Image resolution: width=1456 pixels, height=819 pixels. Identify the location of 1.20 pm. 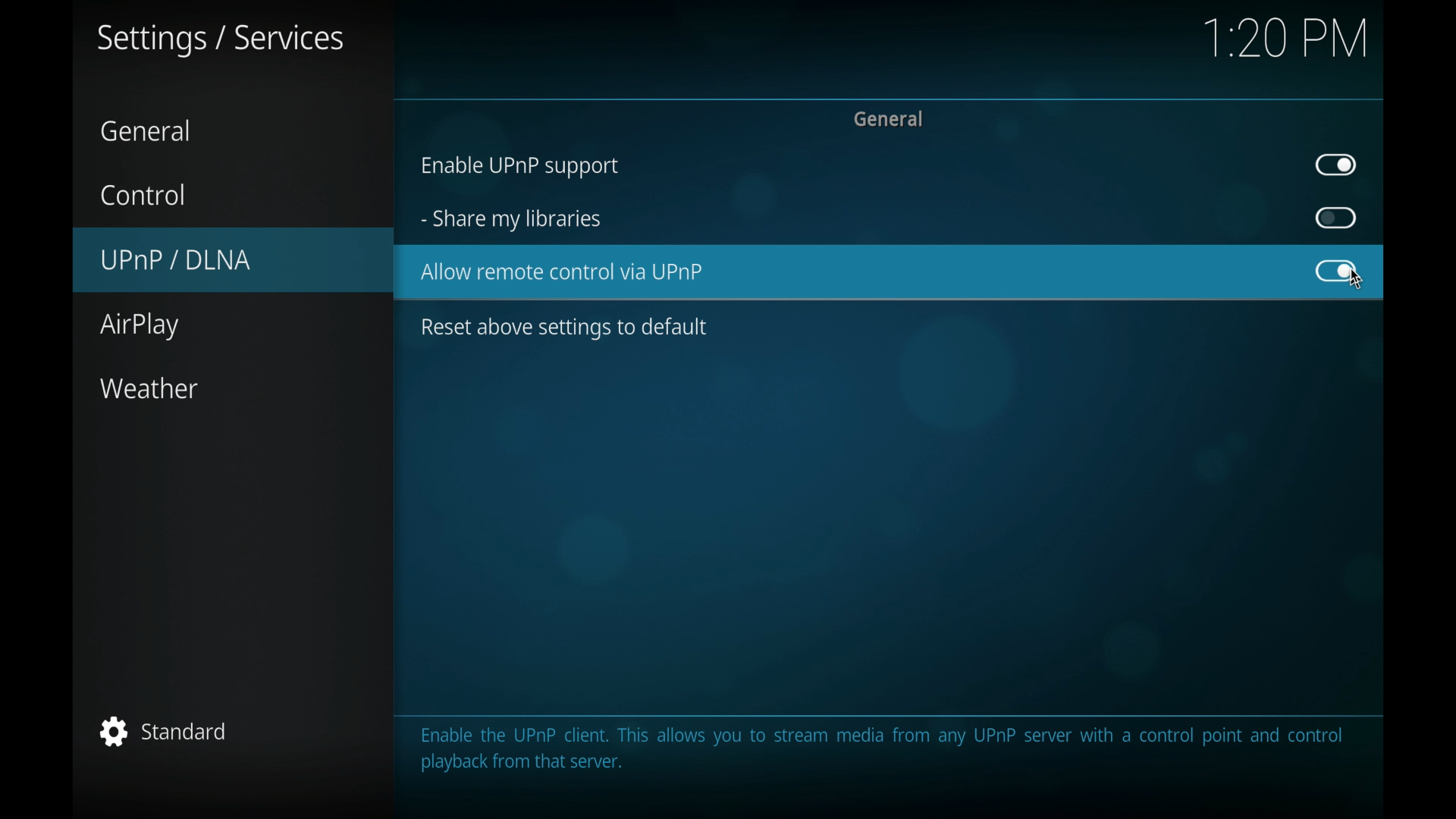
(1287, 40).